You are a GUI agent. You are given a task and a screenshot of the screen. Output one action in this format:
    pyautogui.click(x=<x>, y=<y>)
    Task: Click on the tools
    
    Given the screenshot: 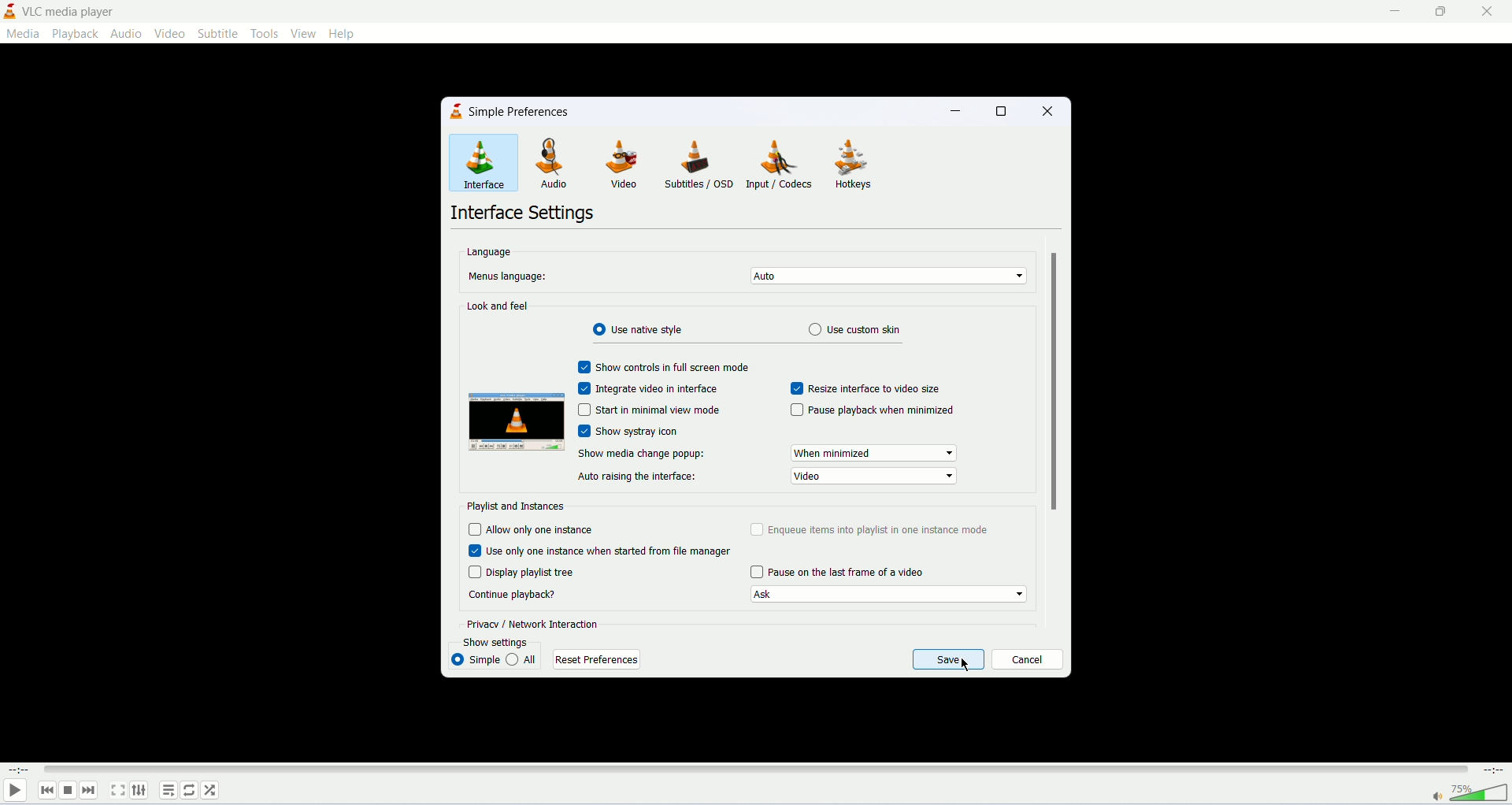 What is the action you would take?
    pyautogui.click(x=265, y=35)
    